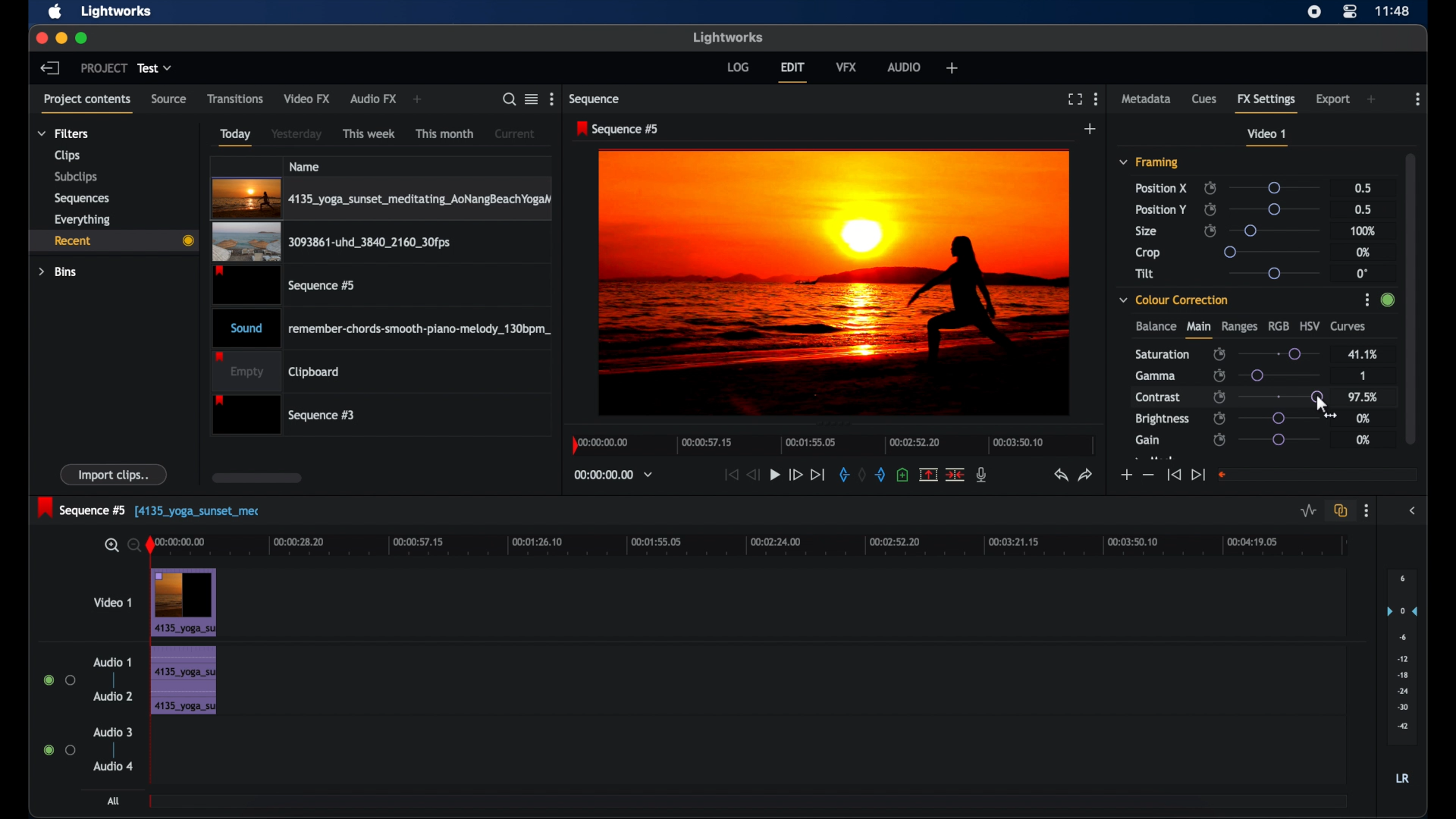  What do you see at coordinates (951, 67) in the screenshot?
I see `add` at bounding box center [951, 67].